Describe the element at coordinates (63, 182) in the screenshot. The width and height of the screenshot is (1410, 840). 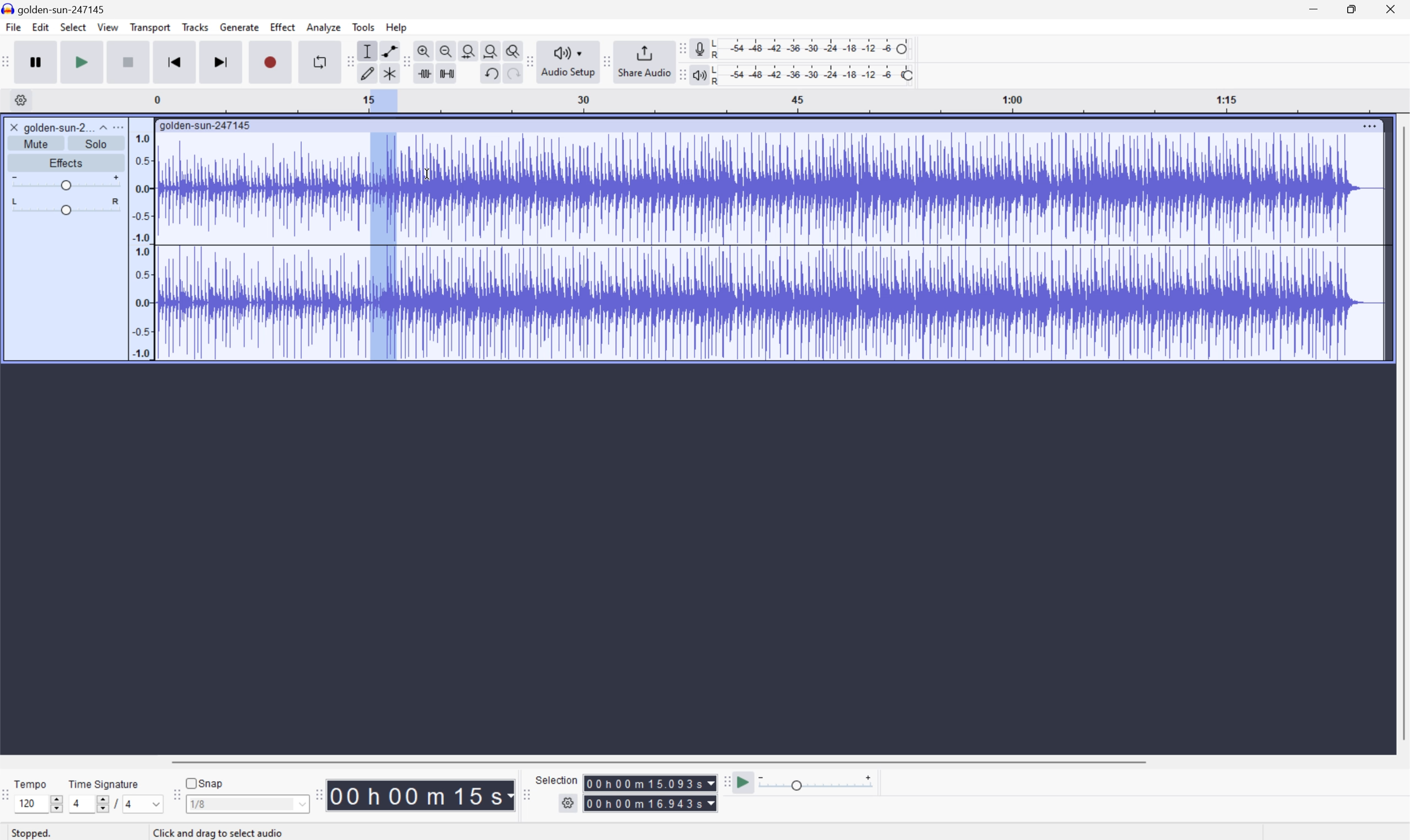
I see `Slider` at that location.